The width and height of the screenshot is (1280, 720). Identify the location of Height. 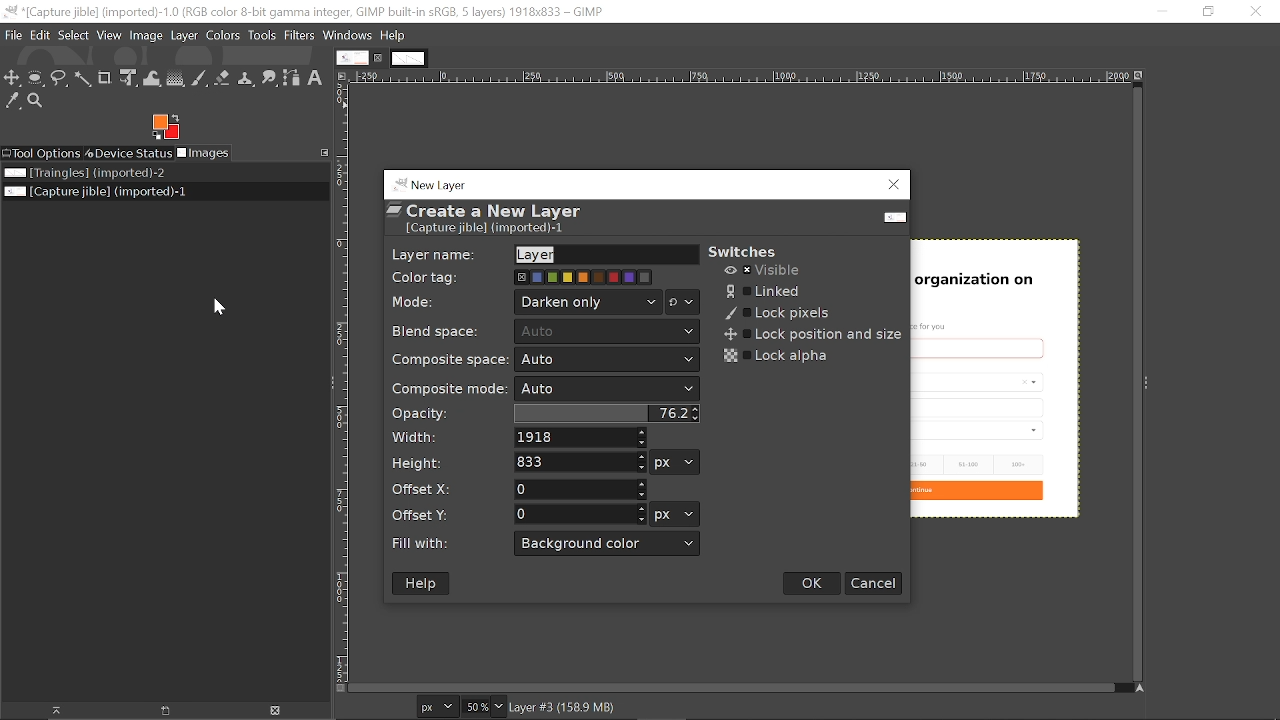
(579, 463).